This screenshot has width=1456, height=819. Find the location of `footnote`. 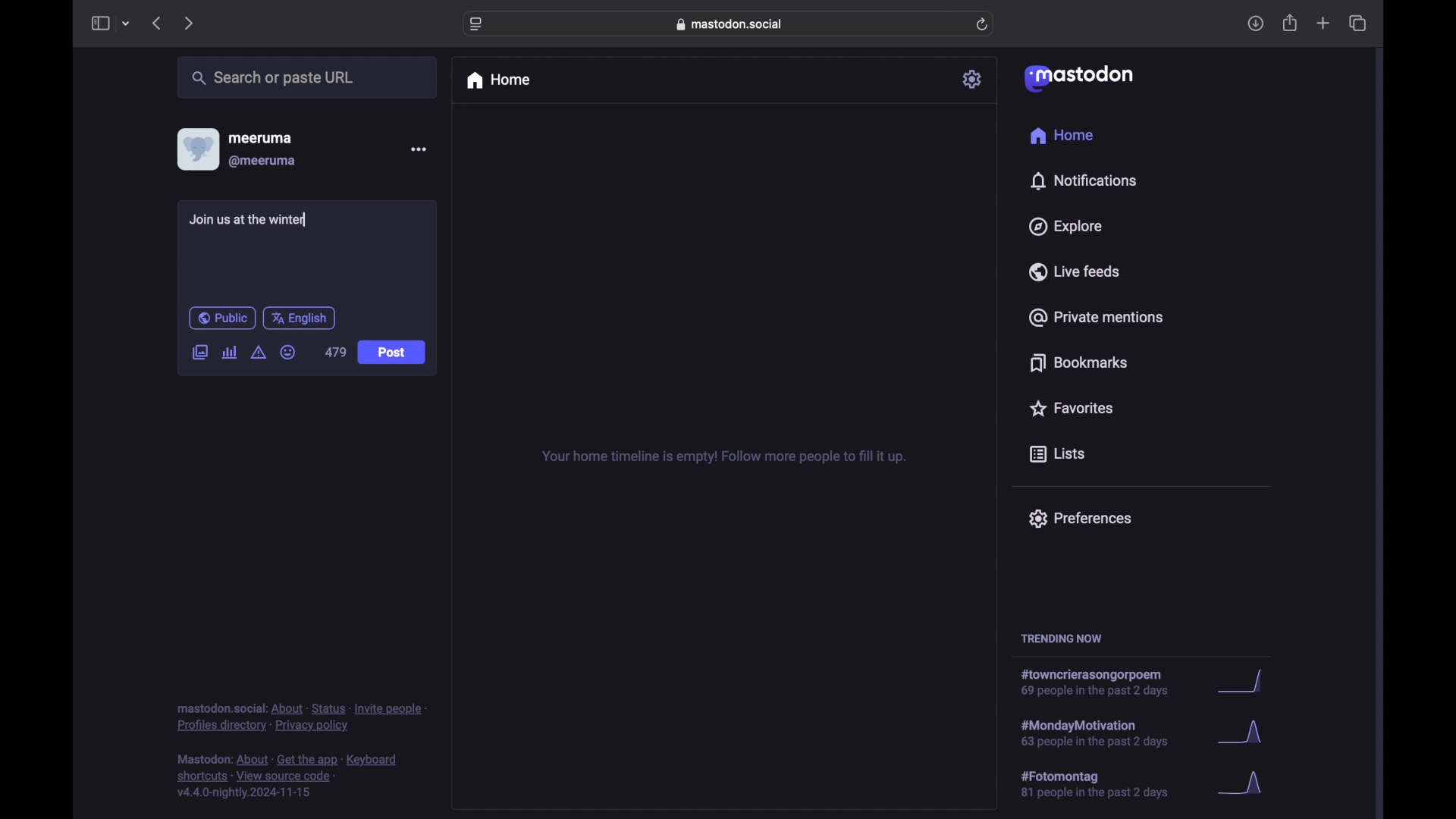

footnote is located at coordinates (302, 717).